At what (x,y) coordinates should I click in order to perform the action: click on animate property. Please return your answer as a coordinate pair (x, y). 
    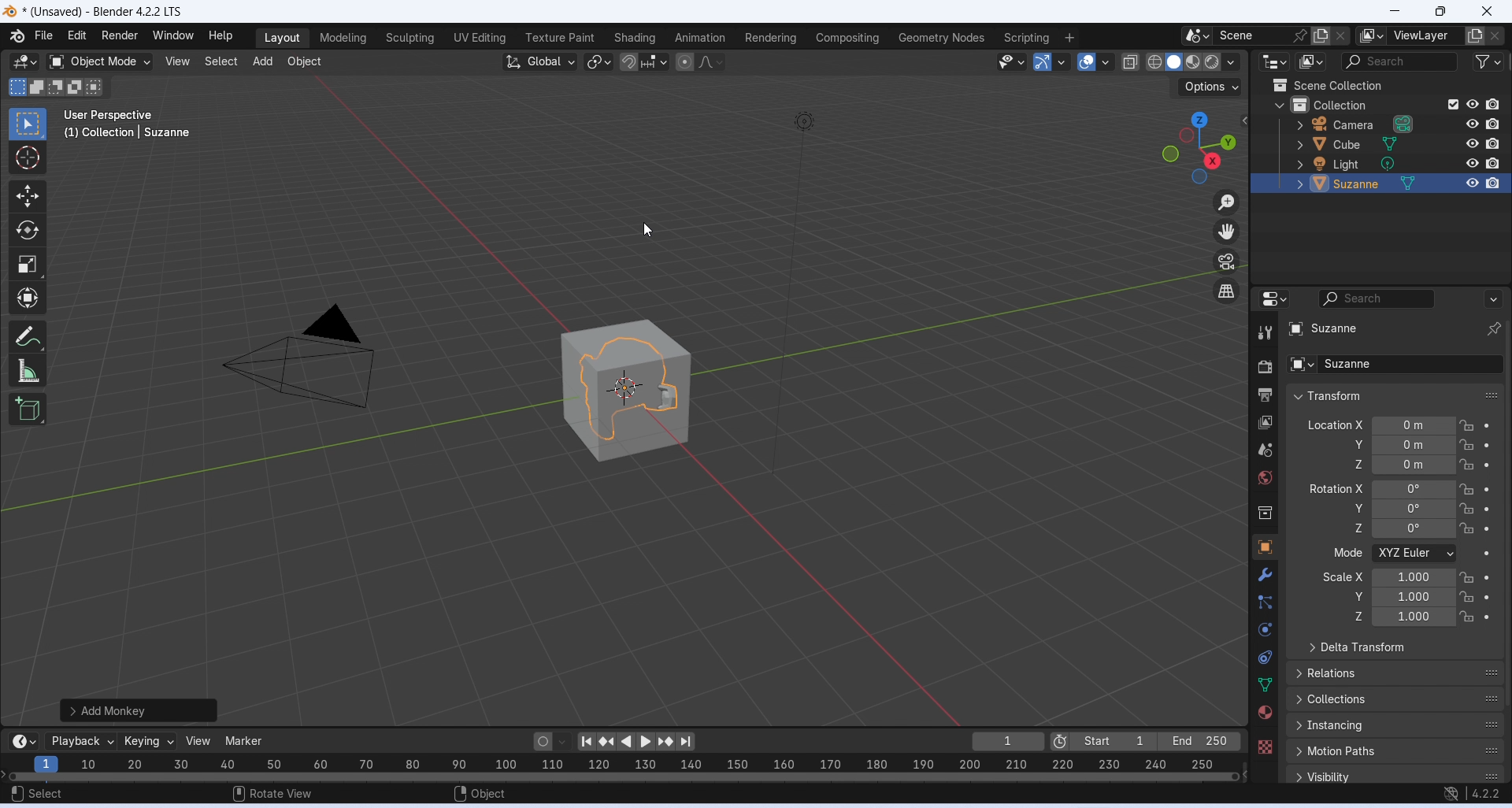
    Looking at the image, I should click on (1487, 529).